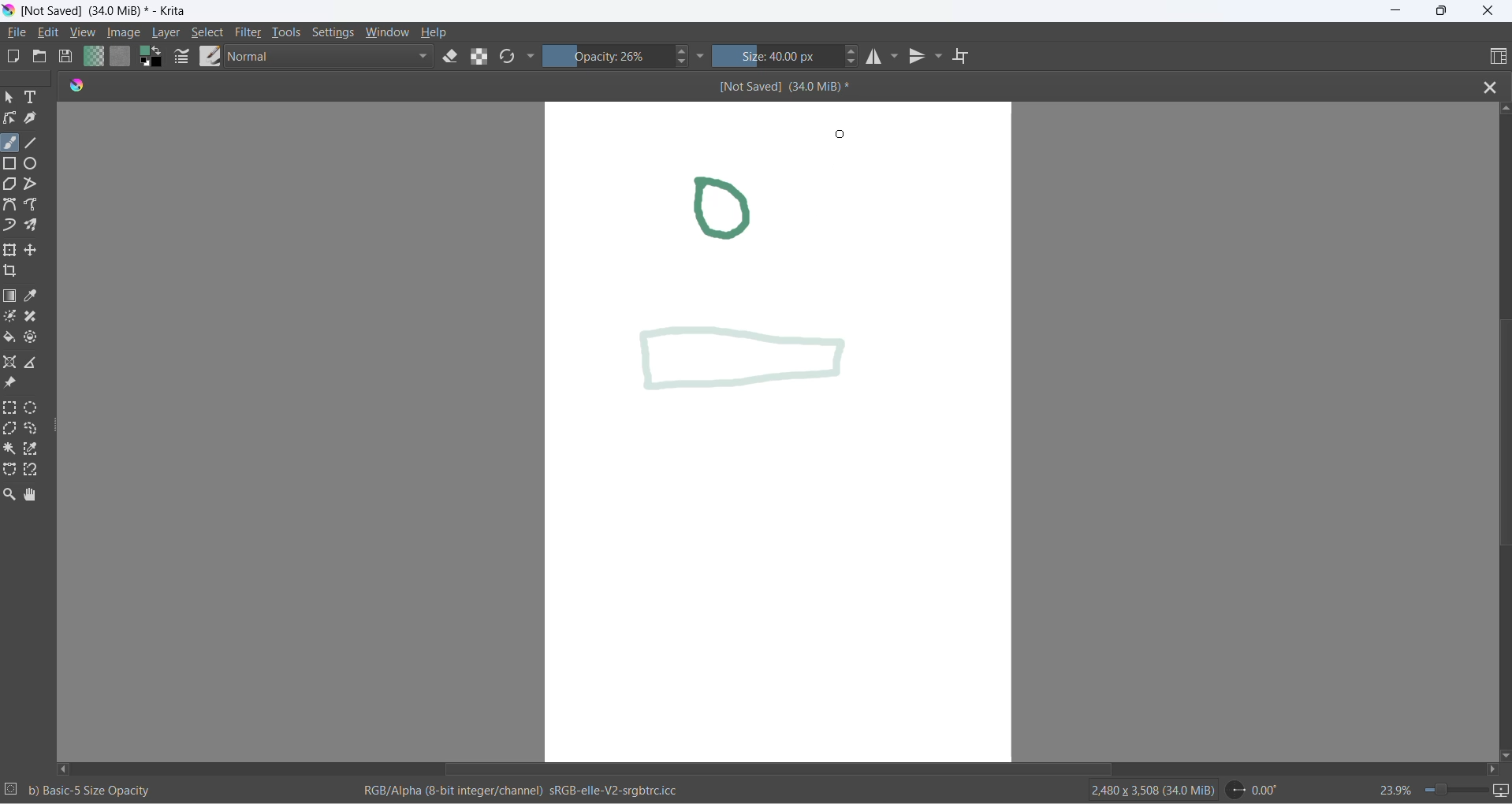  I want to click on zoom slider, so click(1455, 792).